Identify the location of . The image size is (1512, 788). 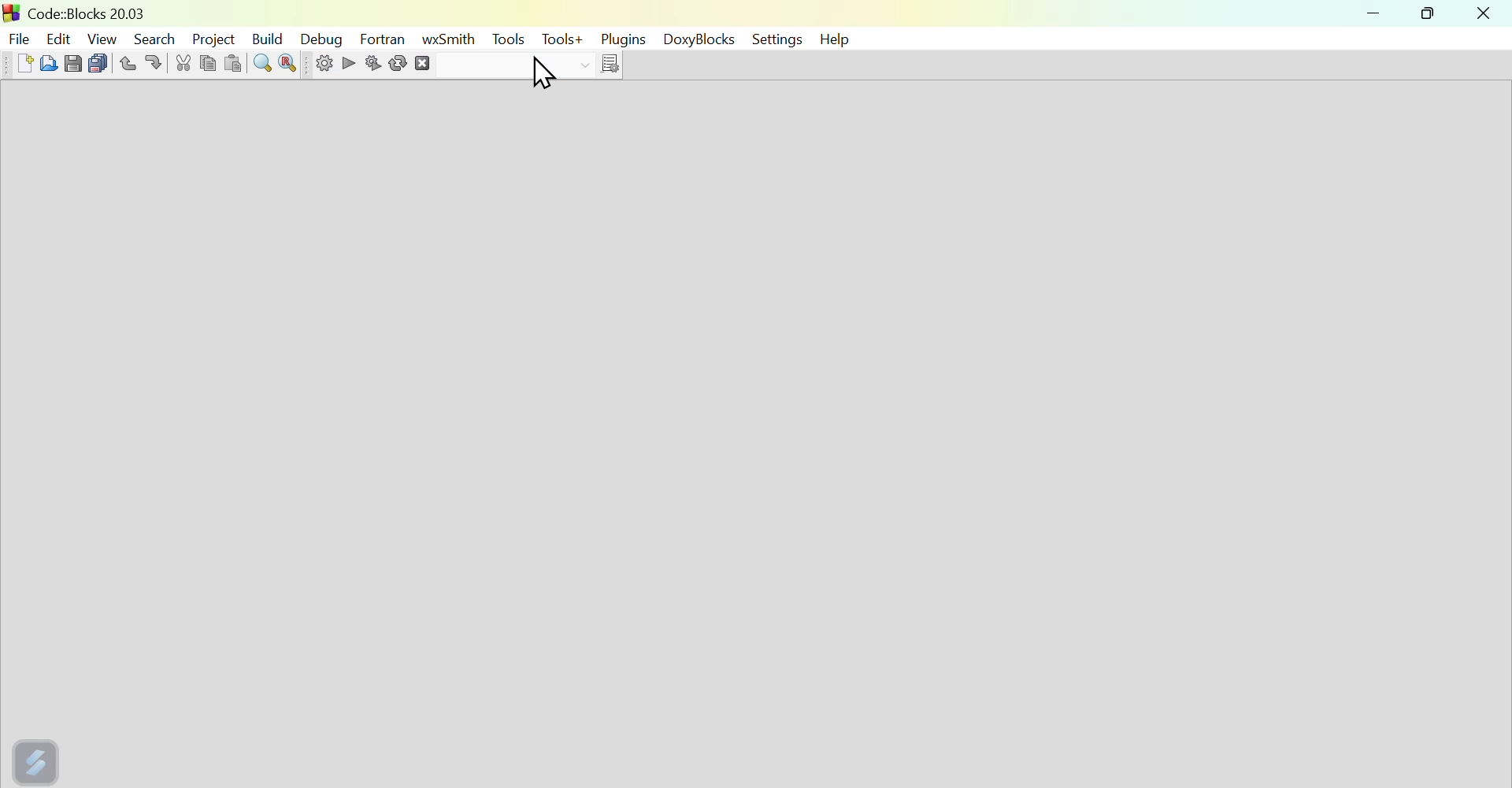
(236, 62).